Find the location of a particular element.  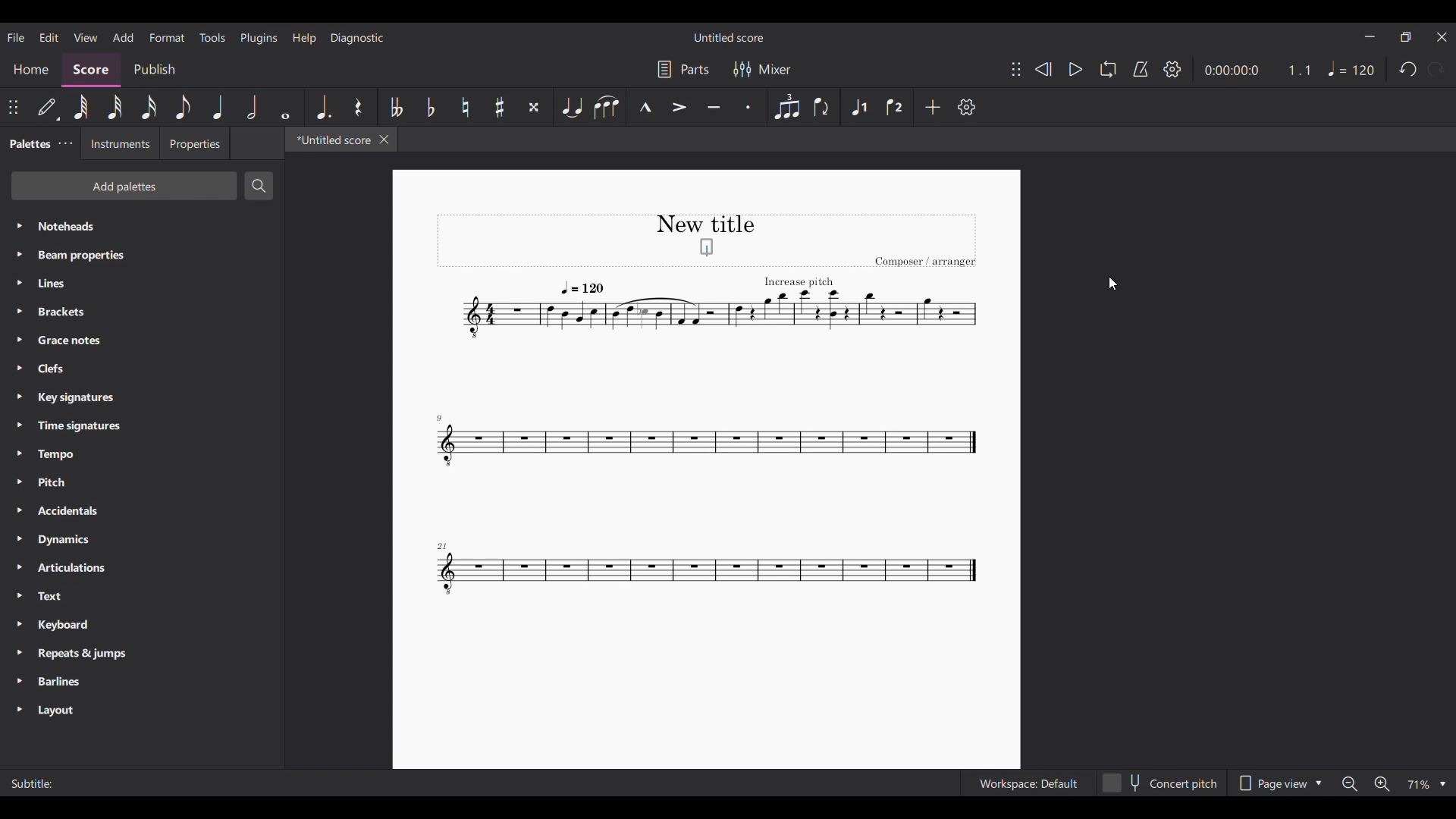

Change position is located at coordinates (13, 107).